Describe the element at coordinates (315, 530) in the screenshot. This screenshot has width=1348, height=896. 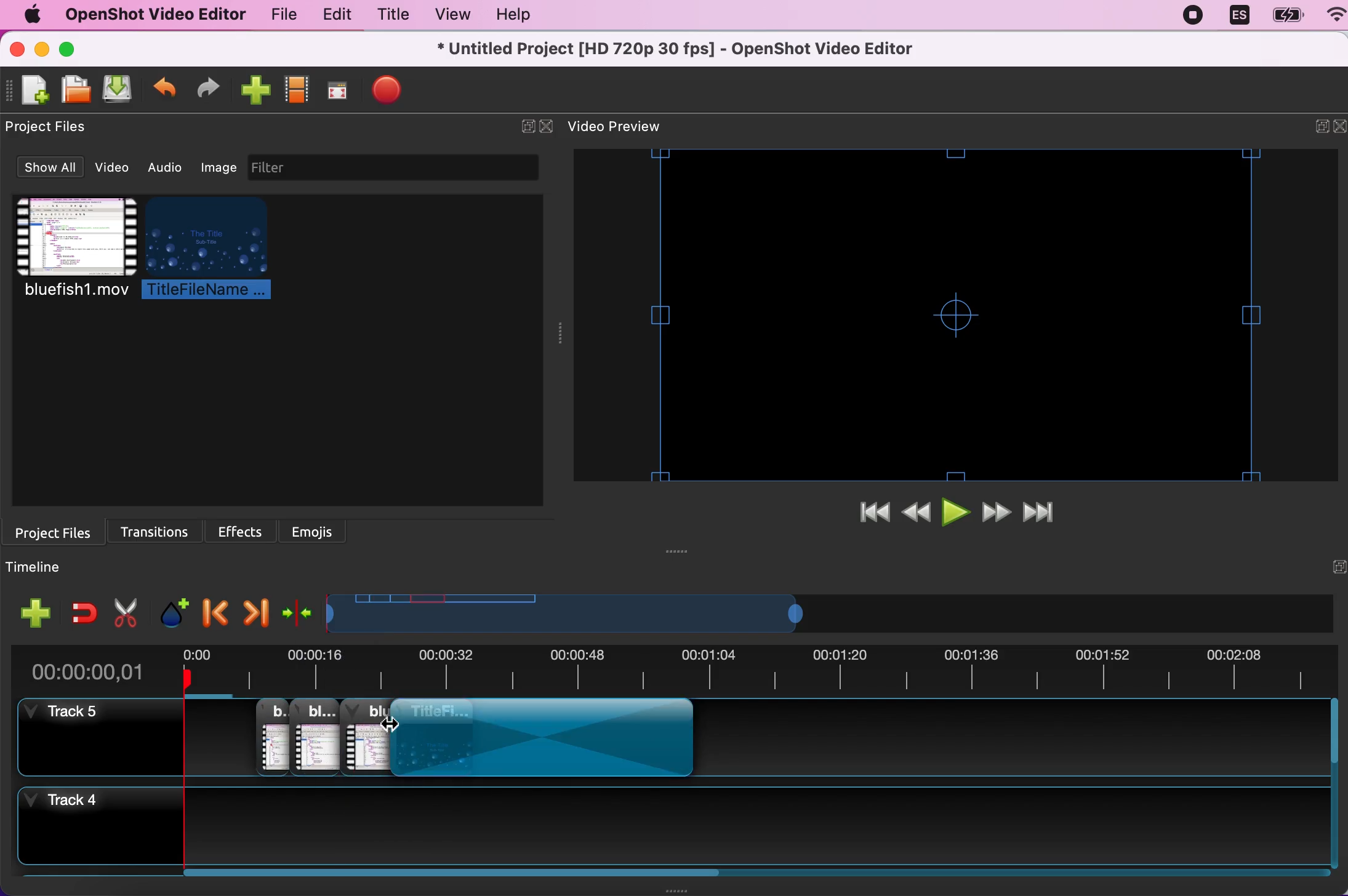
I see `emojis` at that location.